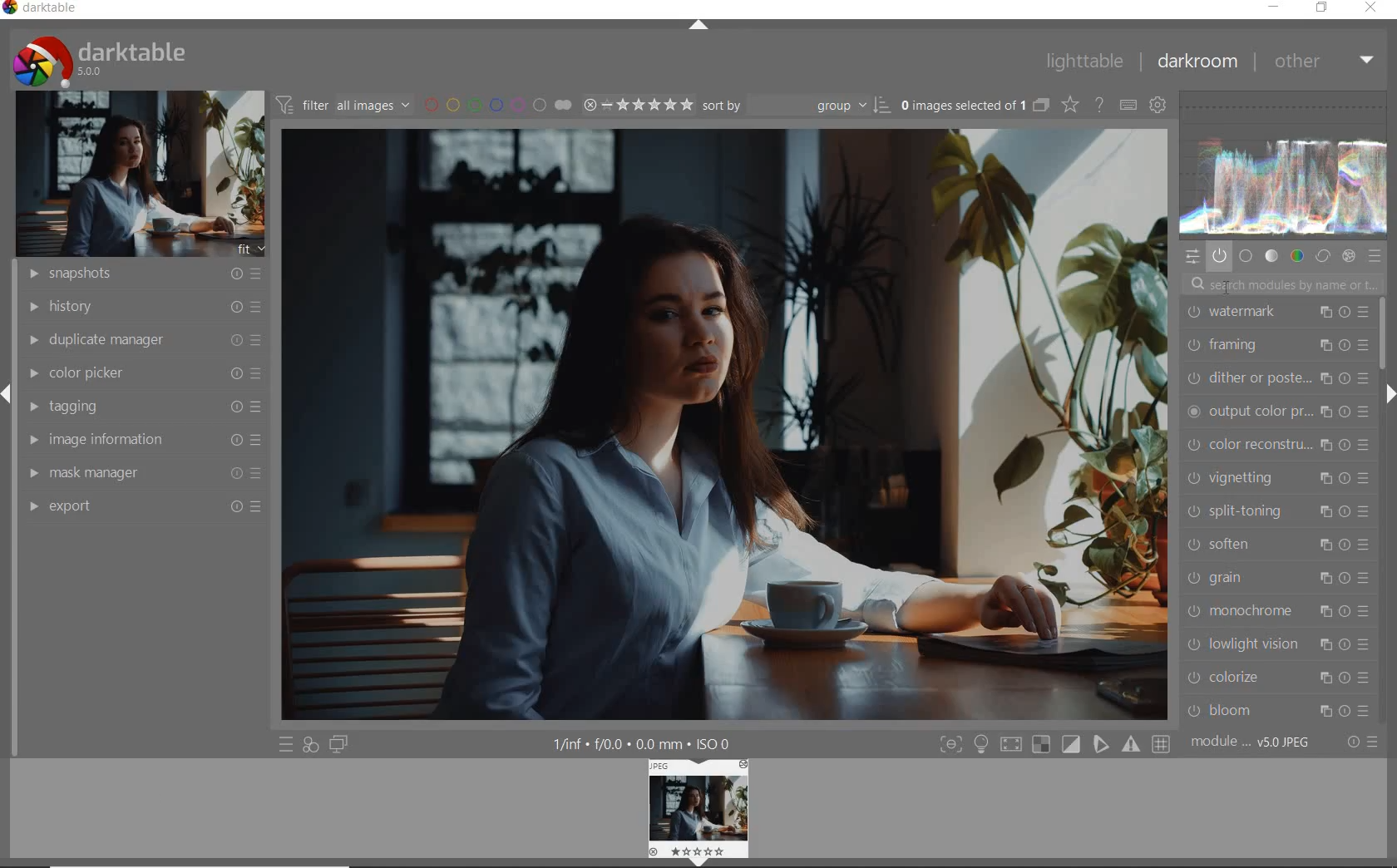  What do you see at coordinates (143, 373) in the screenshot?
I see `color picker` at bounding box center [143, 373].